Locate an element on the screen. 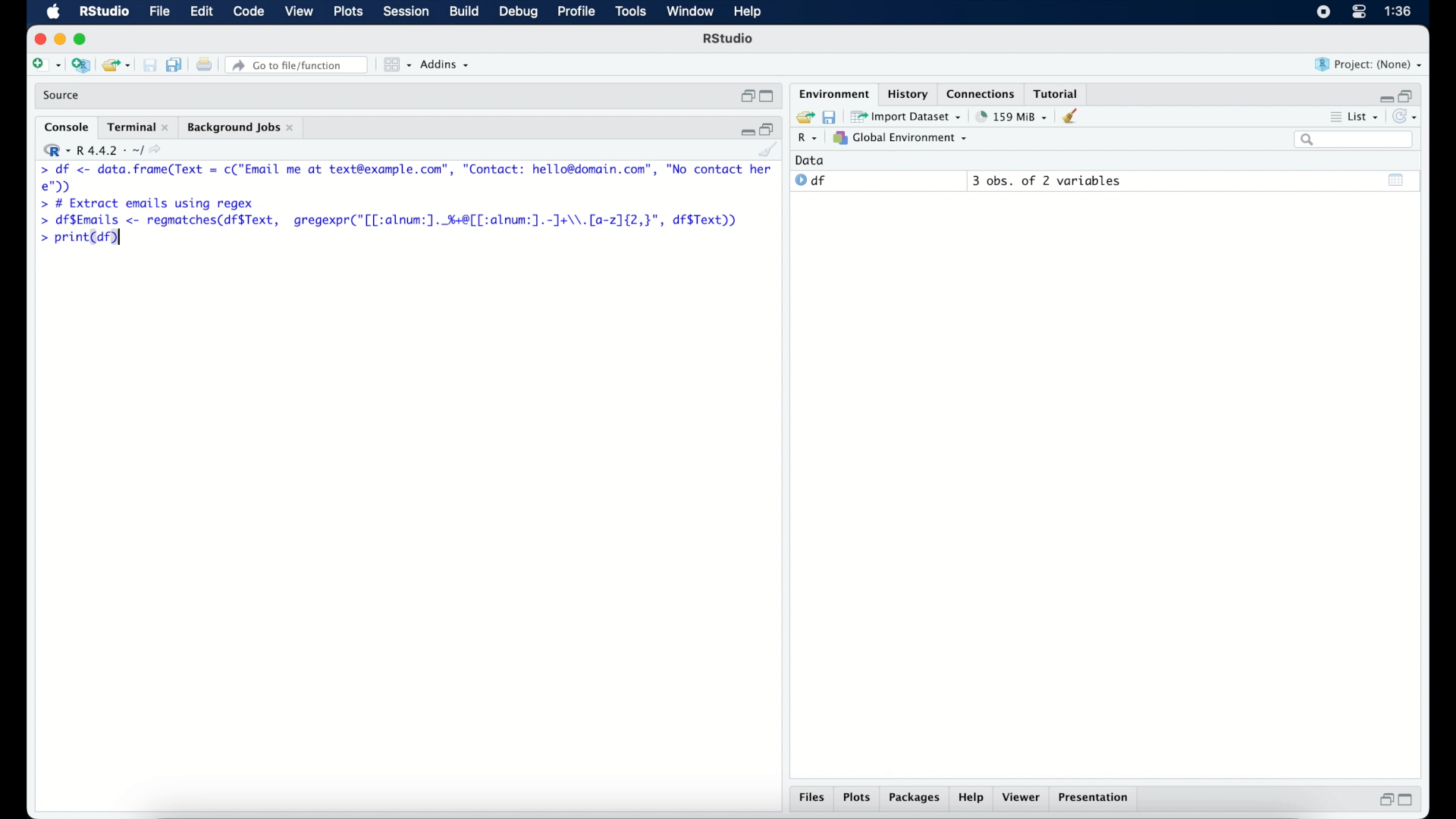 The image size is (1456, 819). view in panes is located at coordinates (396, 65).